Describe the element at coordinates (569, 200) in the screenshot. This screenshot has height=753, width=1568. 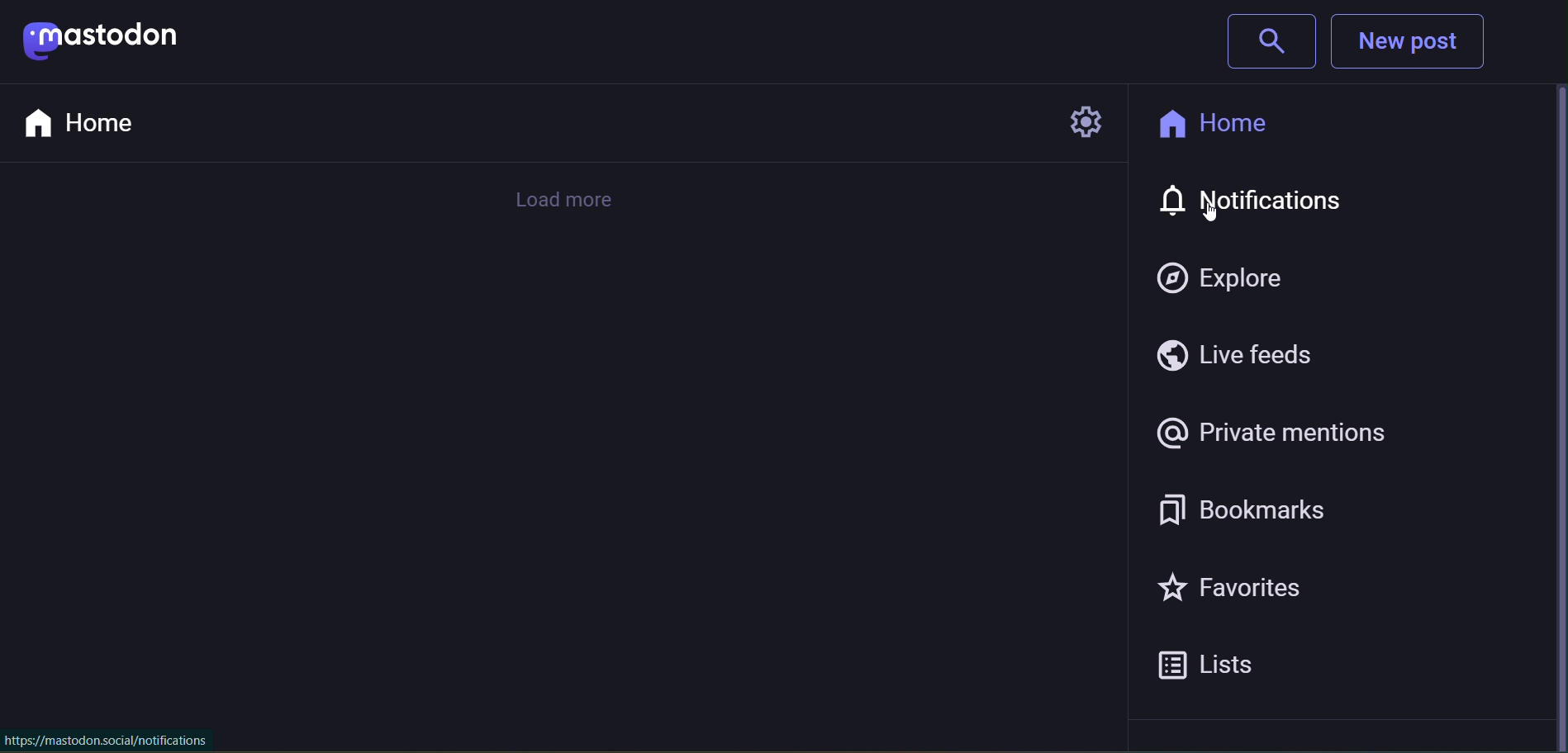
I see `Load More` at that location.